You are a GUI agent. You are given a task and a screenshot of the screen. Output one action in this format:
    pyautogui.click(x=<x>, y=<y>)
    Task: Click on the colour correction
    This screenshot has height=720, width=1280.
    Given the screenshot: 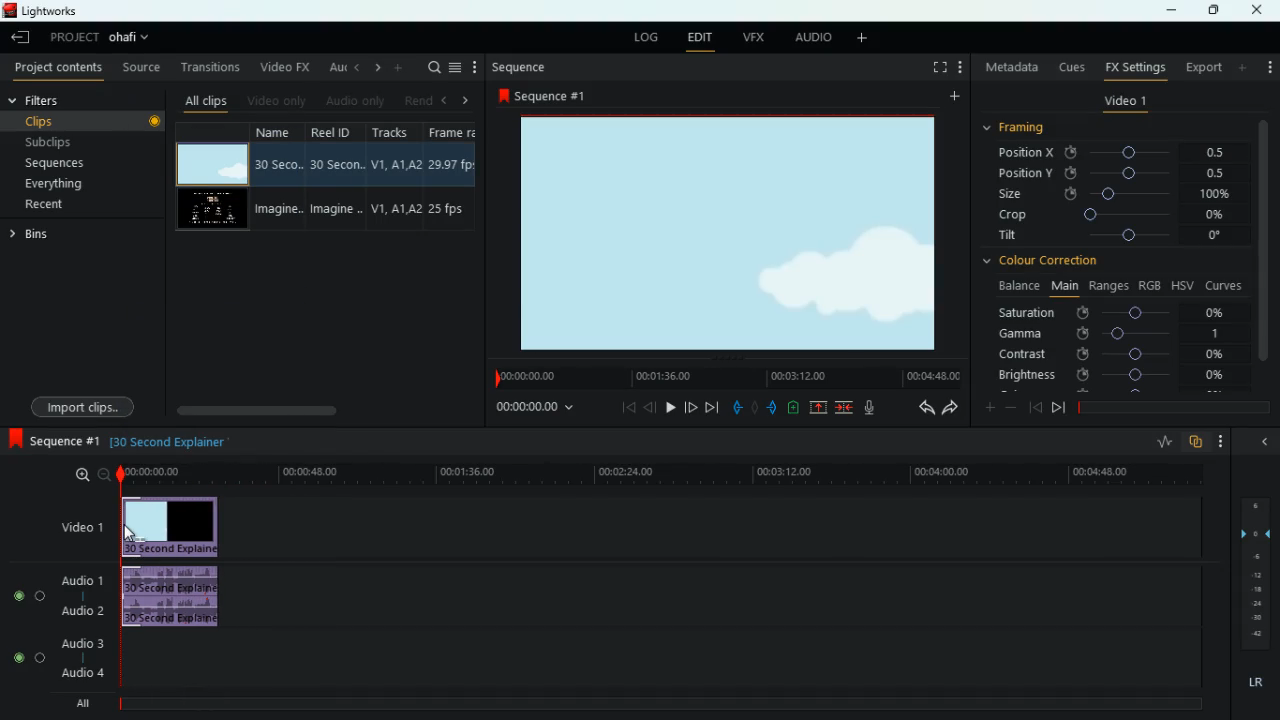 What is the action you would take?
    pyautogui.click(x=1053, y=262)
    